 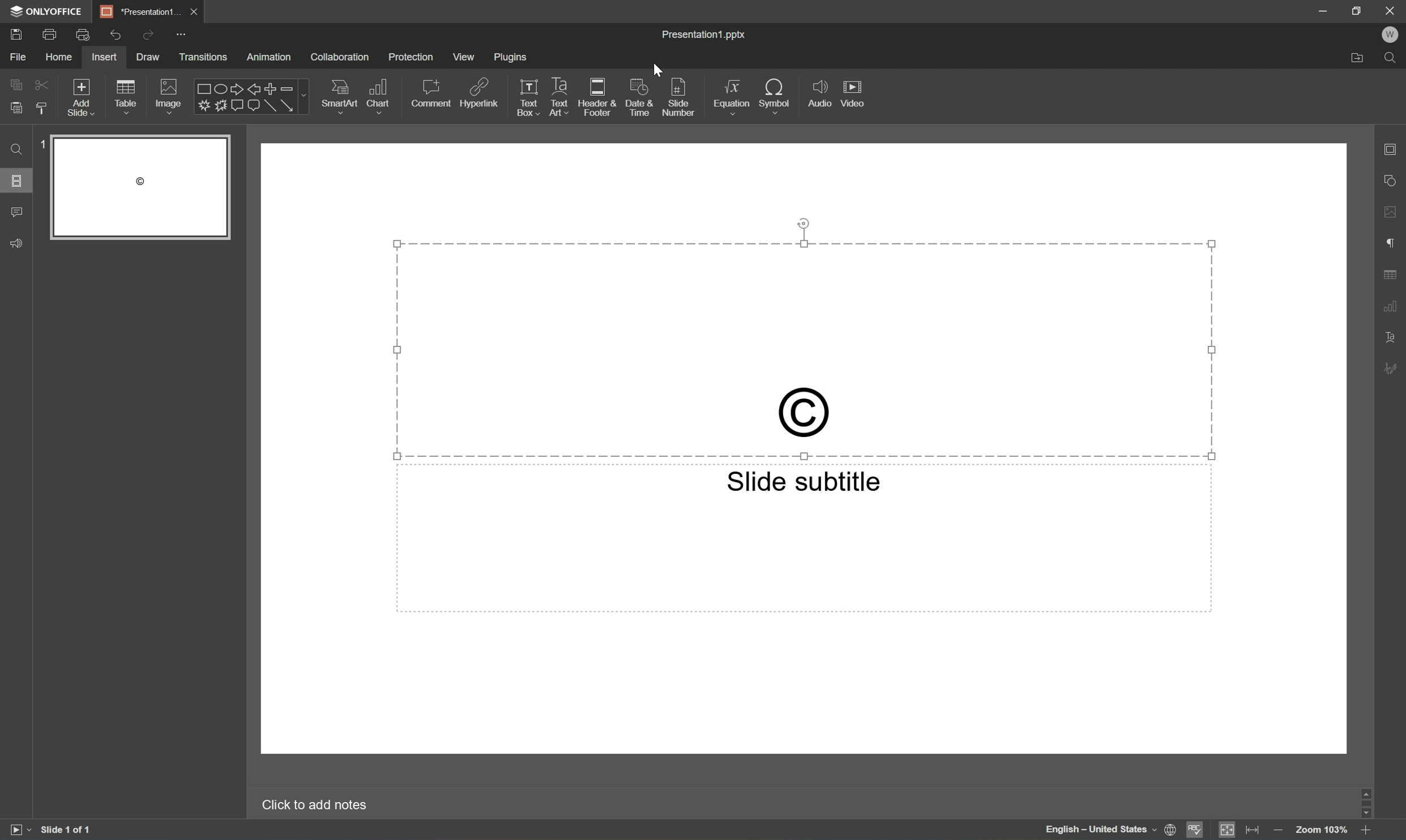 What do you see at coordinates (342, 96) in the screenshot?
I see `SmartArt` at bounding box center [342, 96].